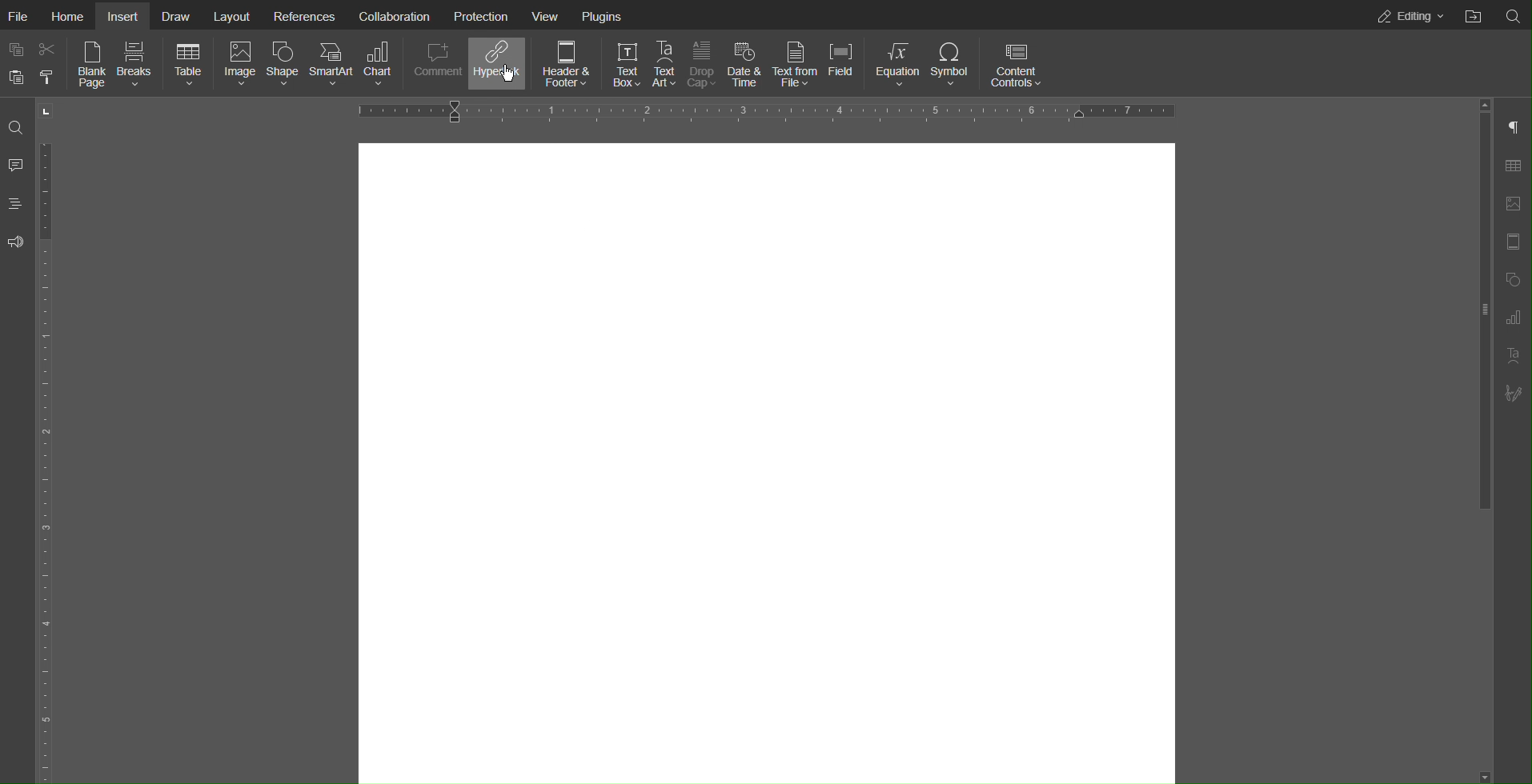 The height and width of the screenshot is (784, 1532). I want to click on Headings, so click(14, 204).